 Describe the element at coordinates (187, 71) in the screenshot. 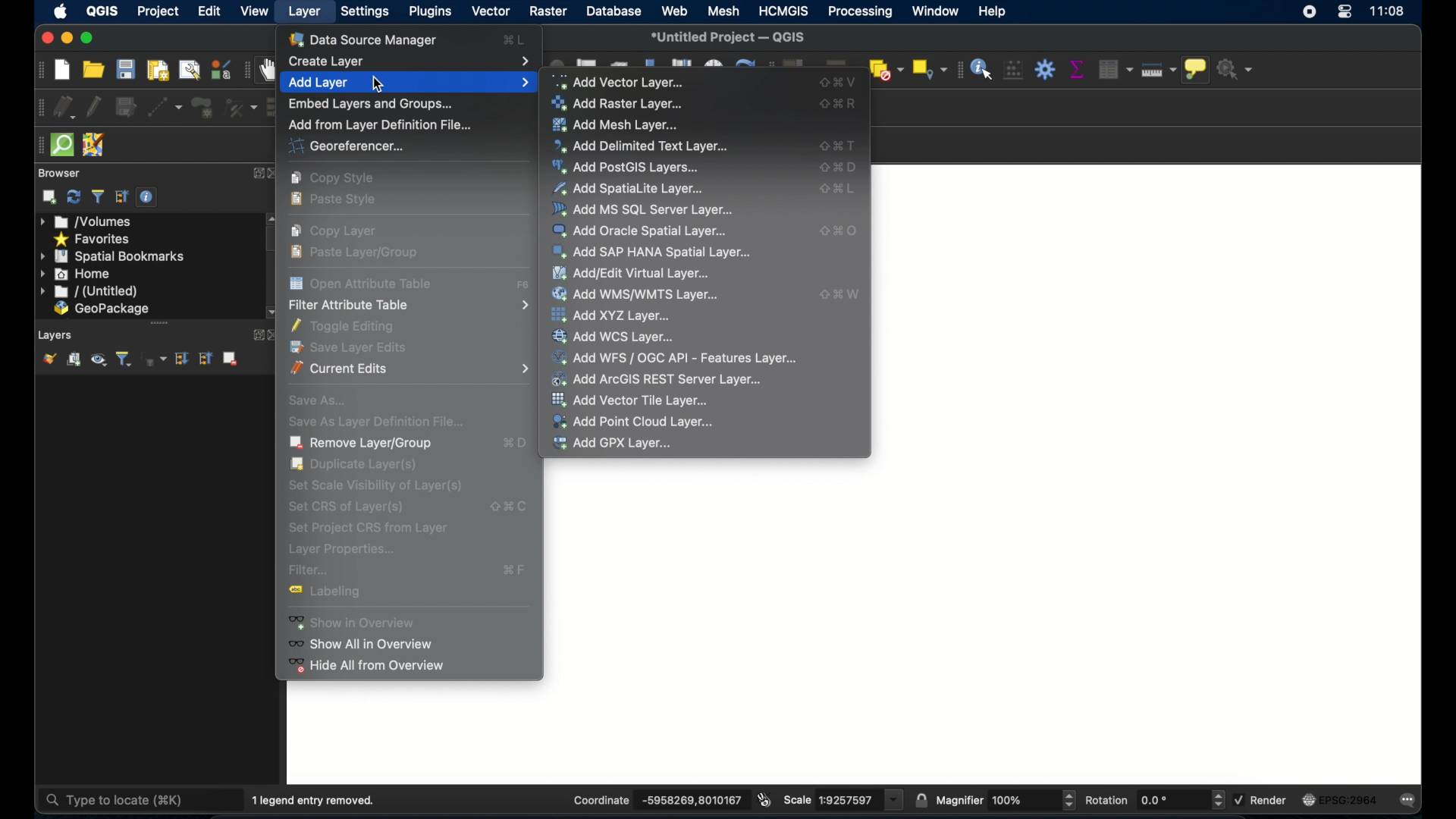

I see `show layout manager` at that location.